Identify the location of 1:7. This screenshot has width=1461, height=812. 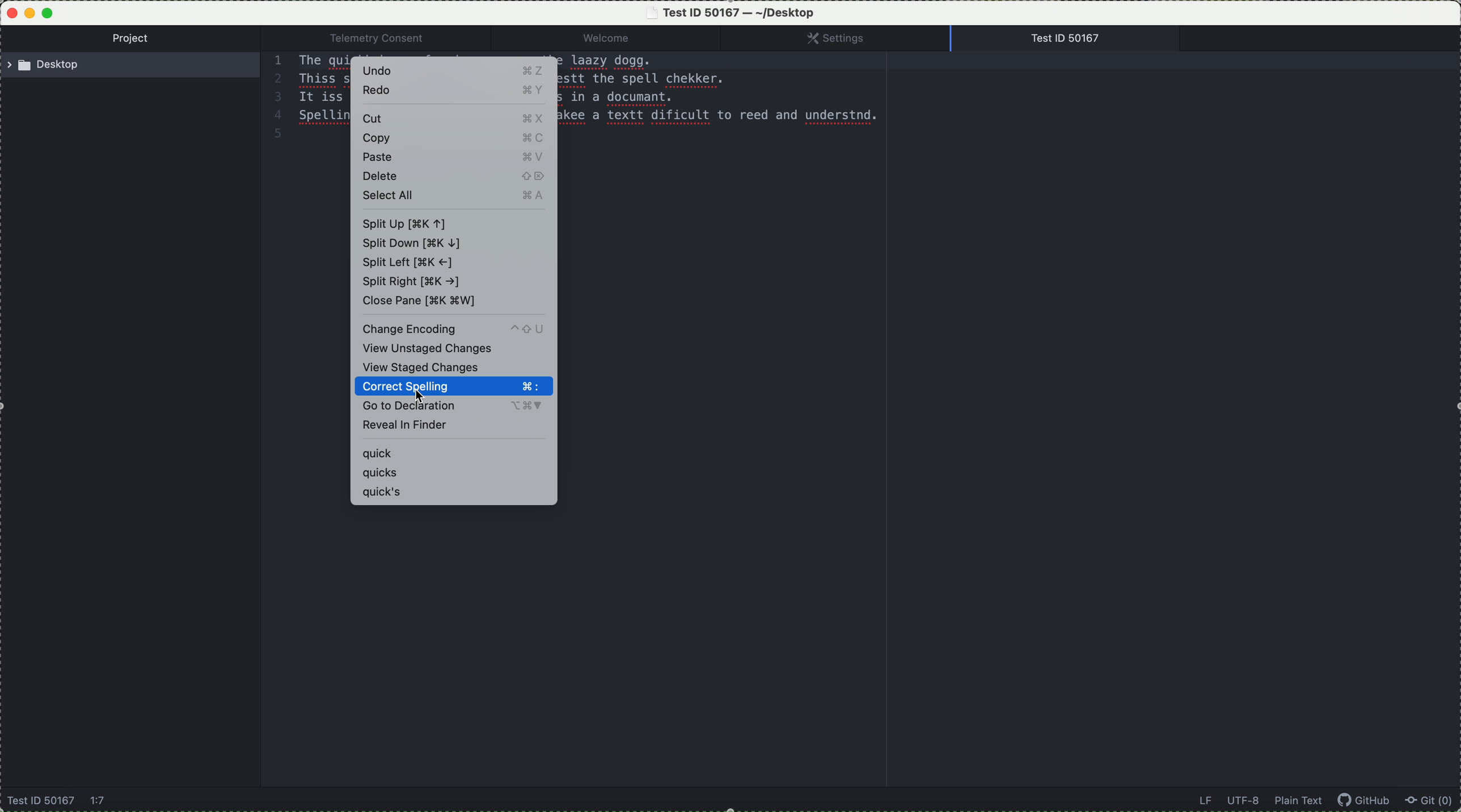
(99, 802).